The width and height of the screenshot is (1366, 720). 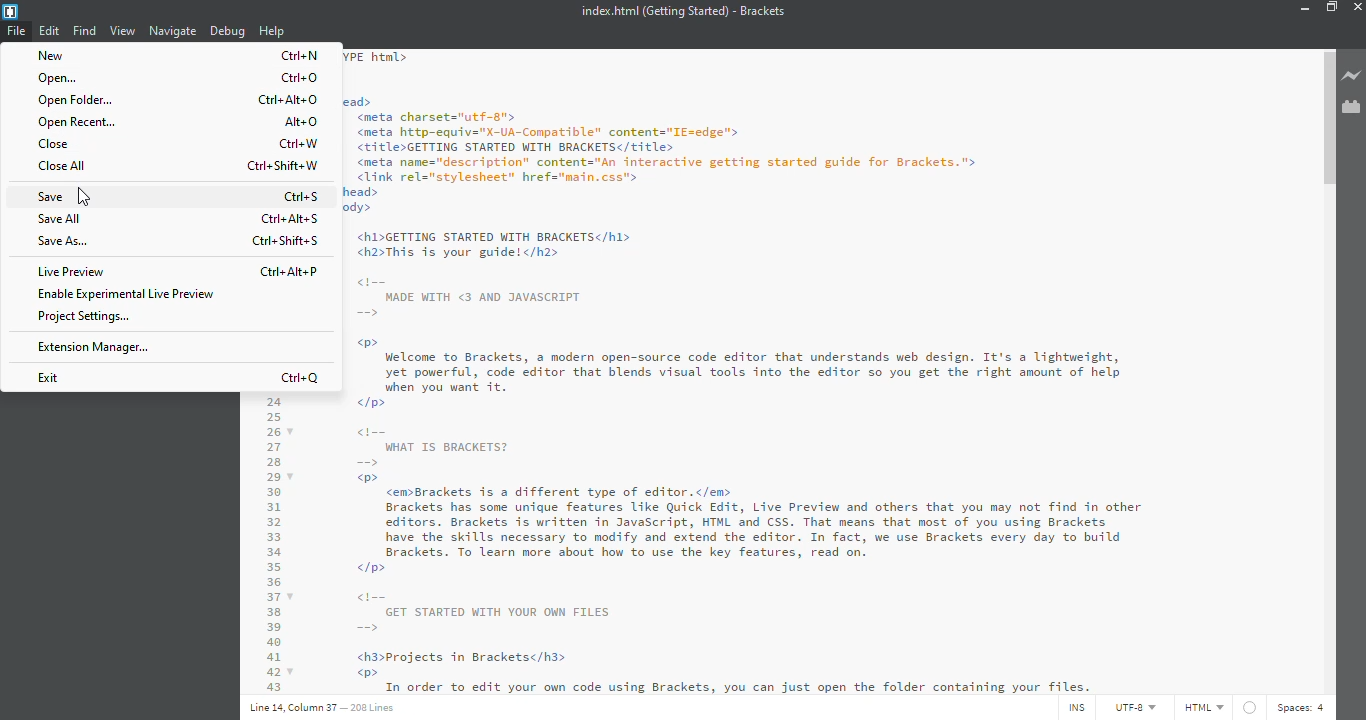 What do you see at coordinates (61, 219) in the screenshot?
I see `save all` at bounding box center [61, 219].